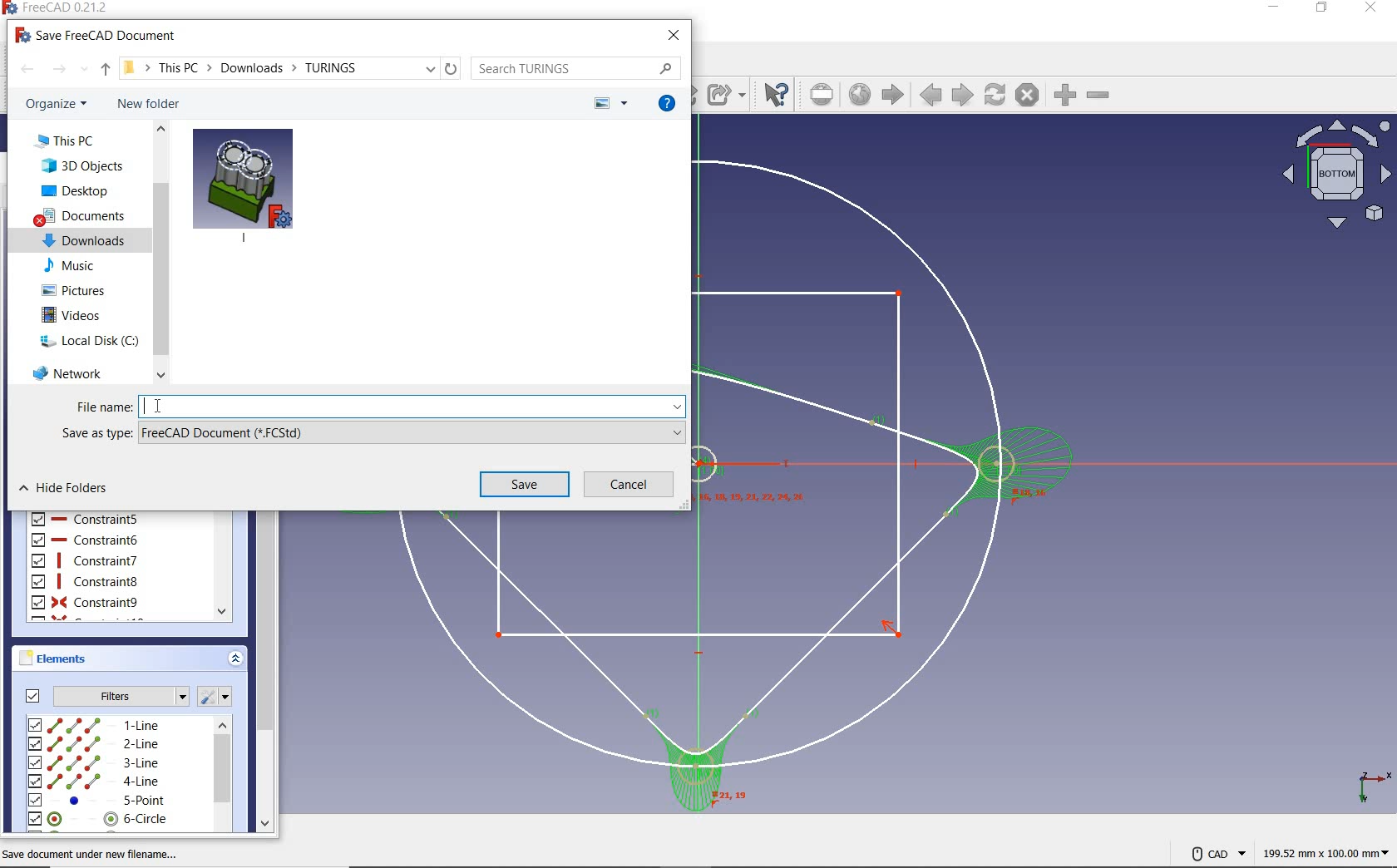 This screenshot has width=1397, height=868. I want to click on save as type: FreeCAD document (*.FCStd), so click(373, 432).